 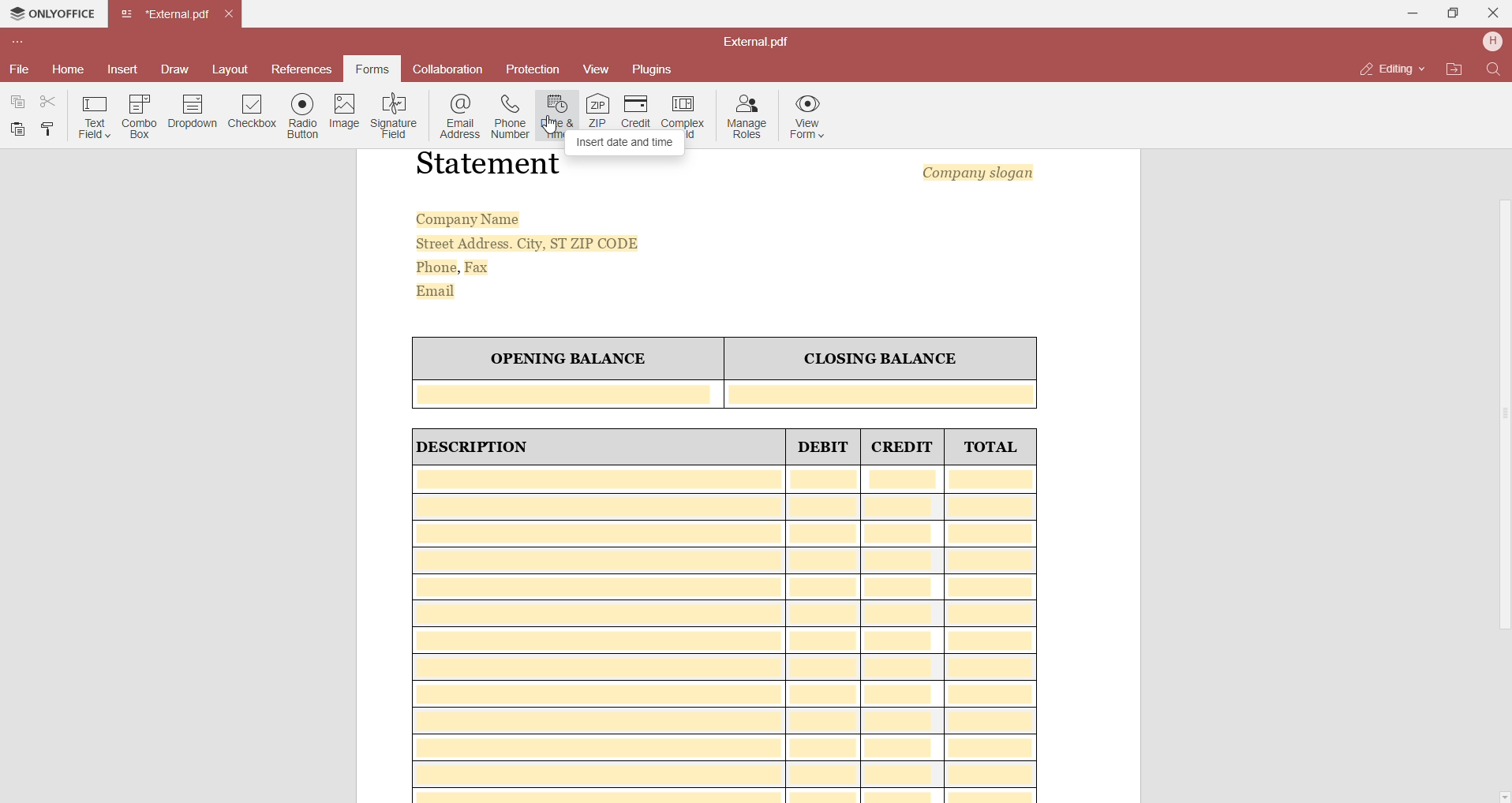 I want to click on Customize toolbar, so click(x=21, y=40).